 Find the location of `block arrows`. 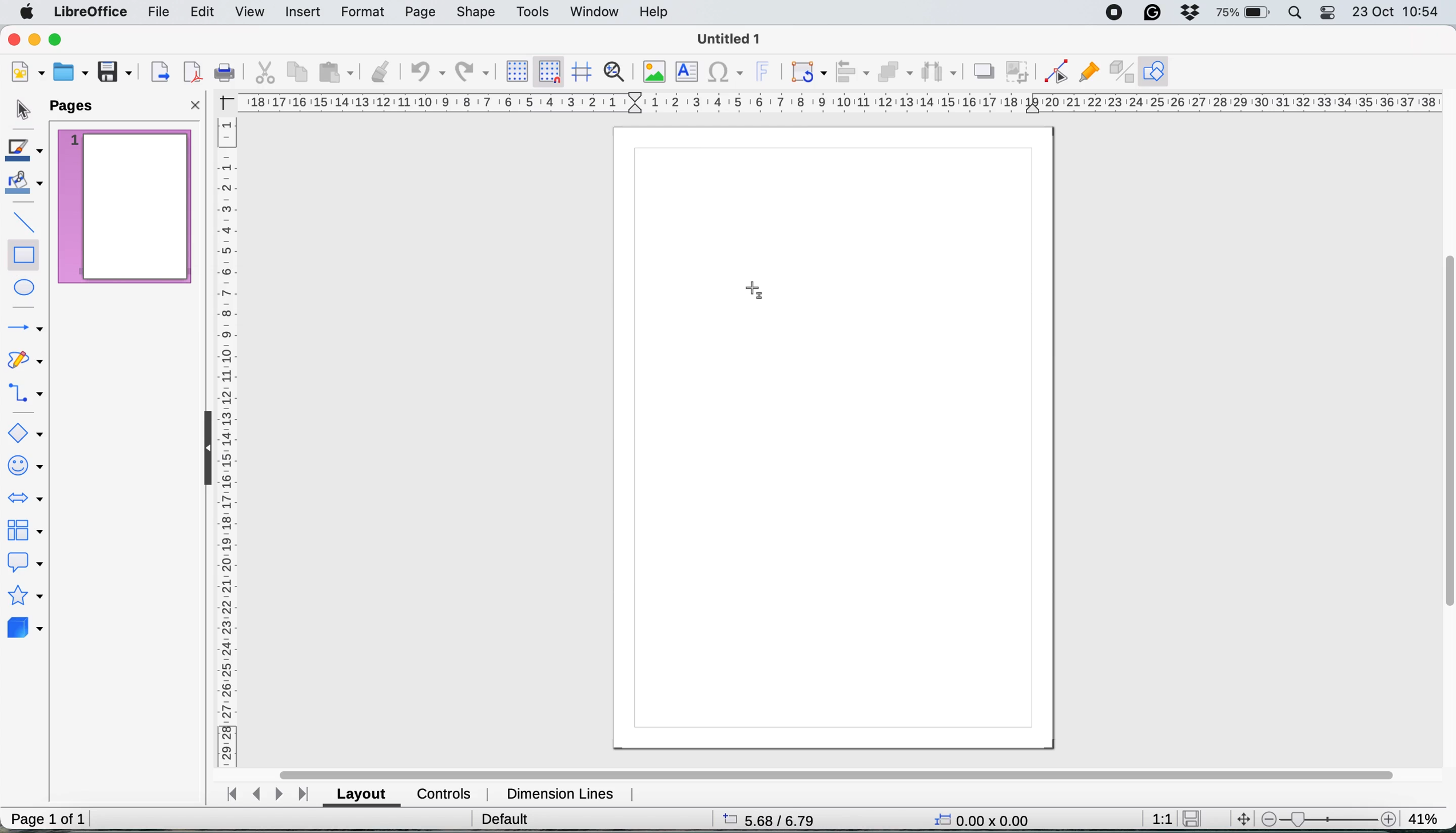

block arrows is located at coordinates (27, 501).